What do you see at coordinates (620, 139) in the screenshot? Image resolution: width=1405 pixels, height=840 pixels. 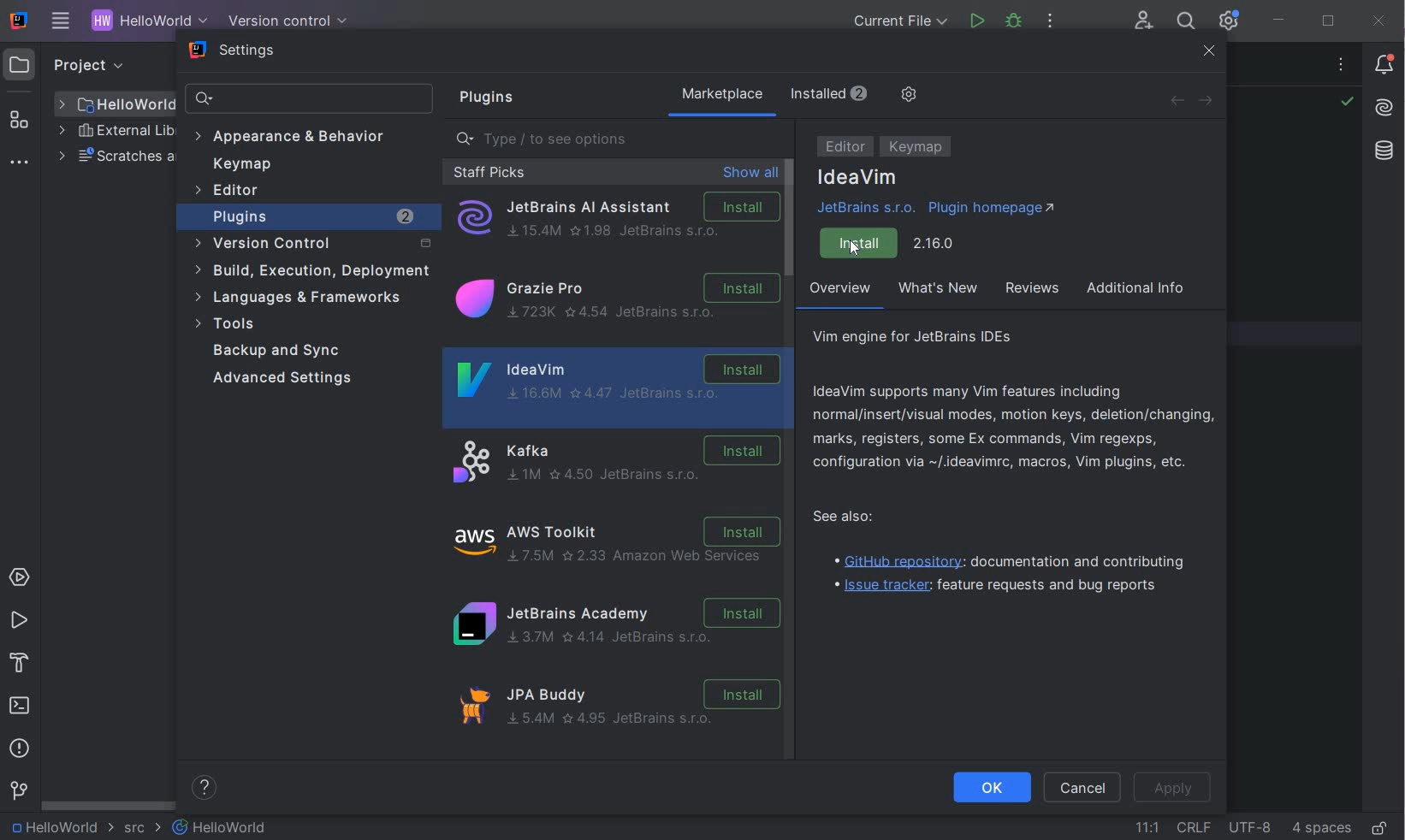 I see `type/to seeoptions` at bounding box center [620, 139].